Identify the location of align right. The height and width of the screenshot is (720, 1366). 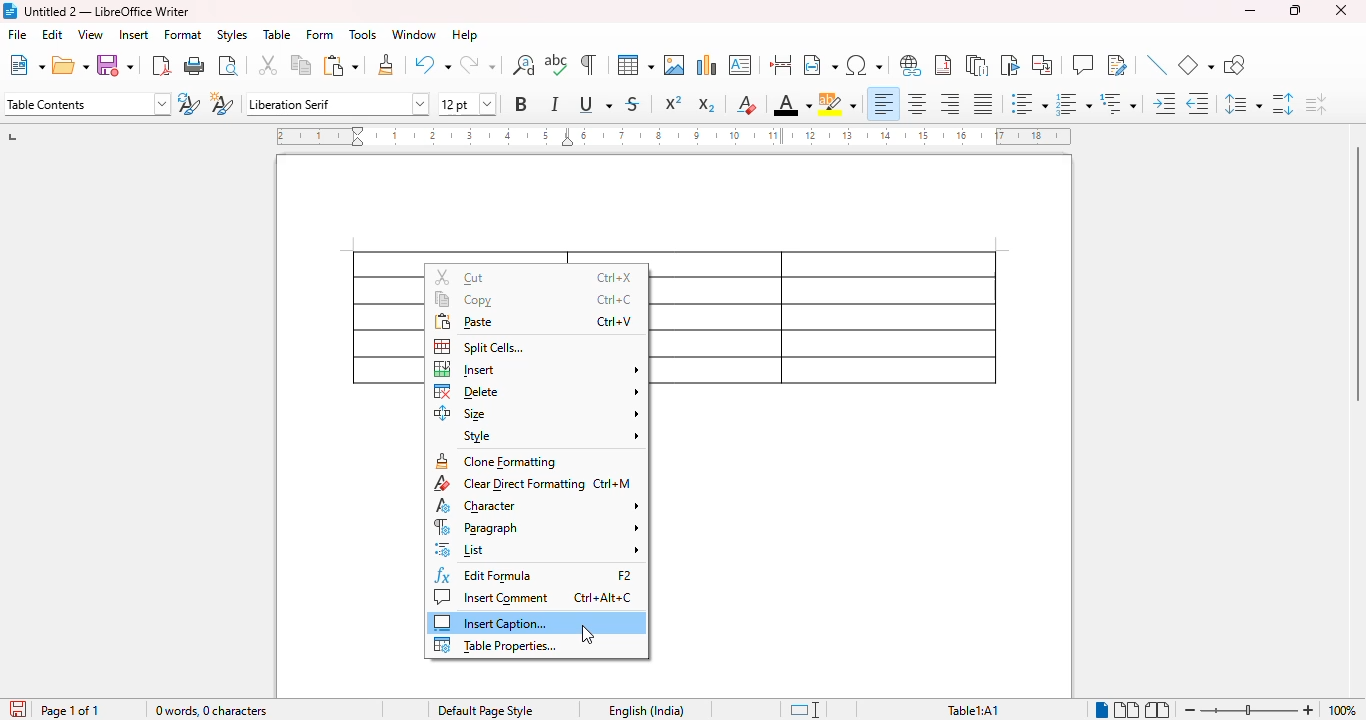
(948, 103).